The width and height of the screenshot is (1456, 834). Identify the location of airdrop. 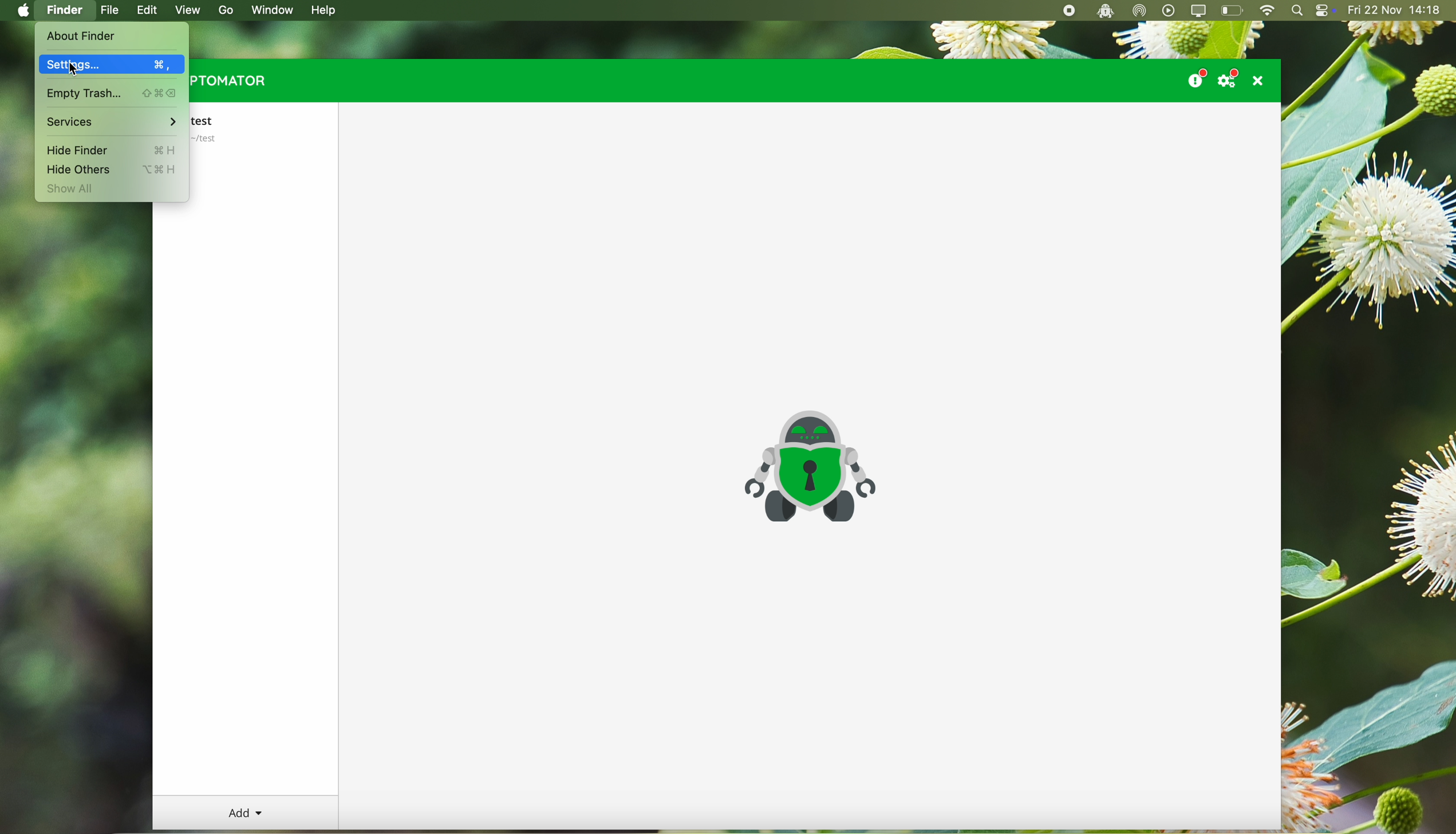
(1140, 11).